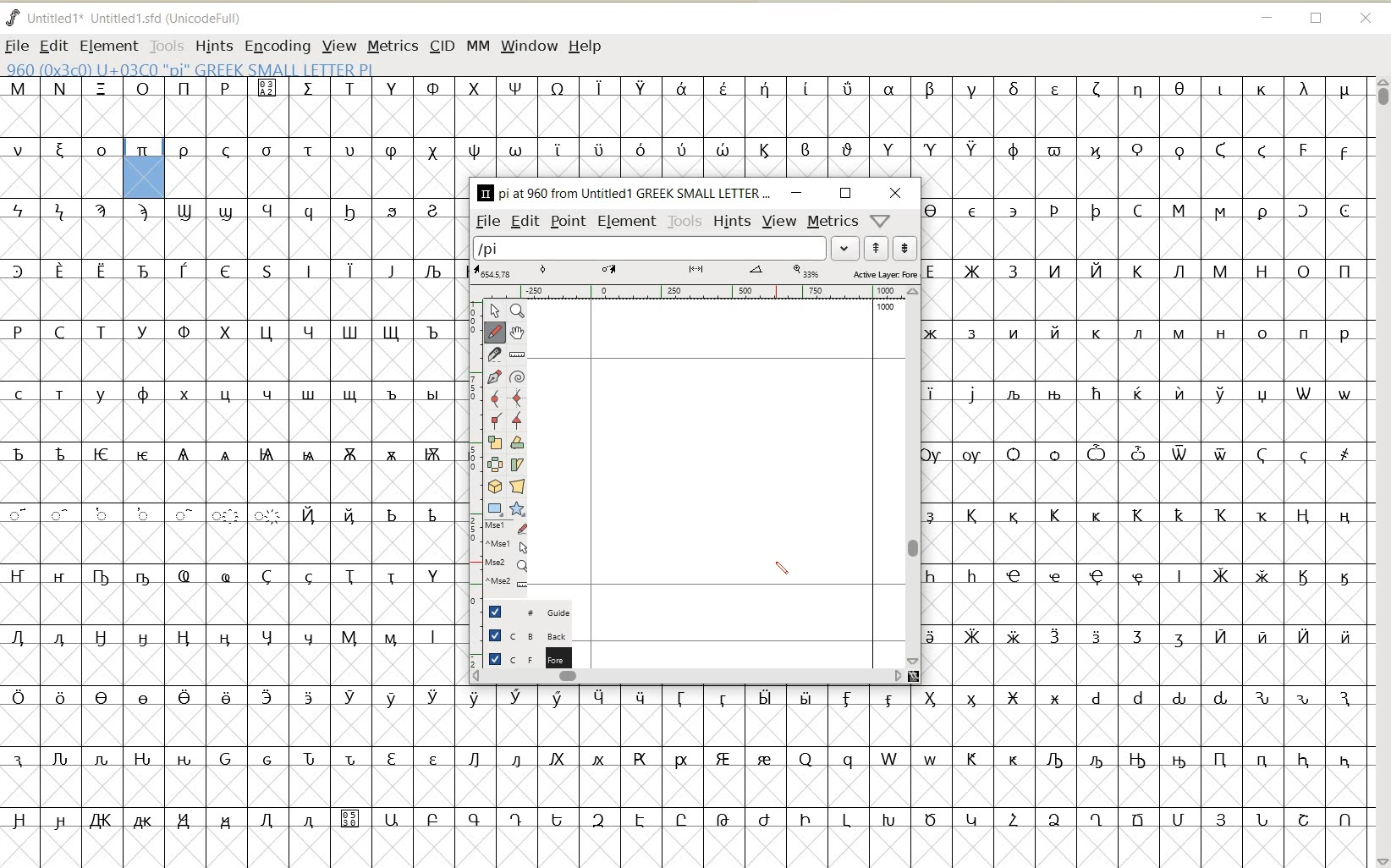 The image size is (1391, 868). What do you see at coordinates (914, 778) in the screenshot?
I see `glyph characters` at bounding box center [914, 778].